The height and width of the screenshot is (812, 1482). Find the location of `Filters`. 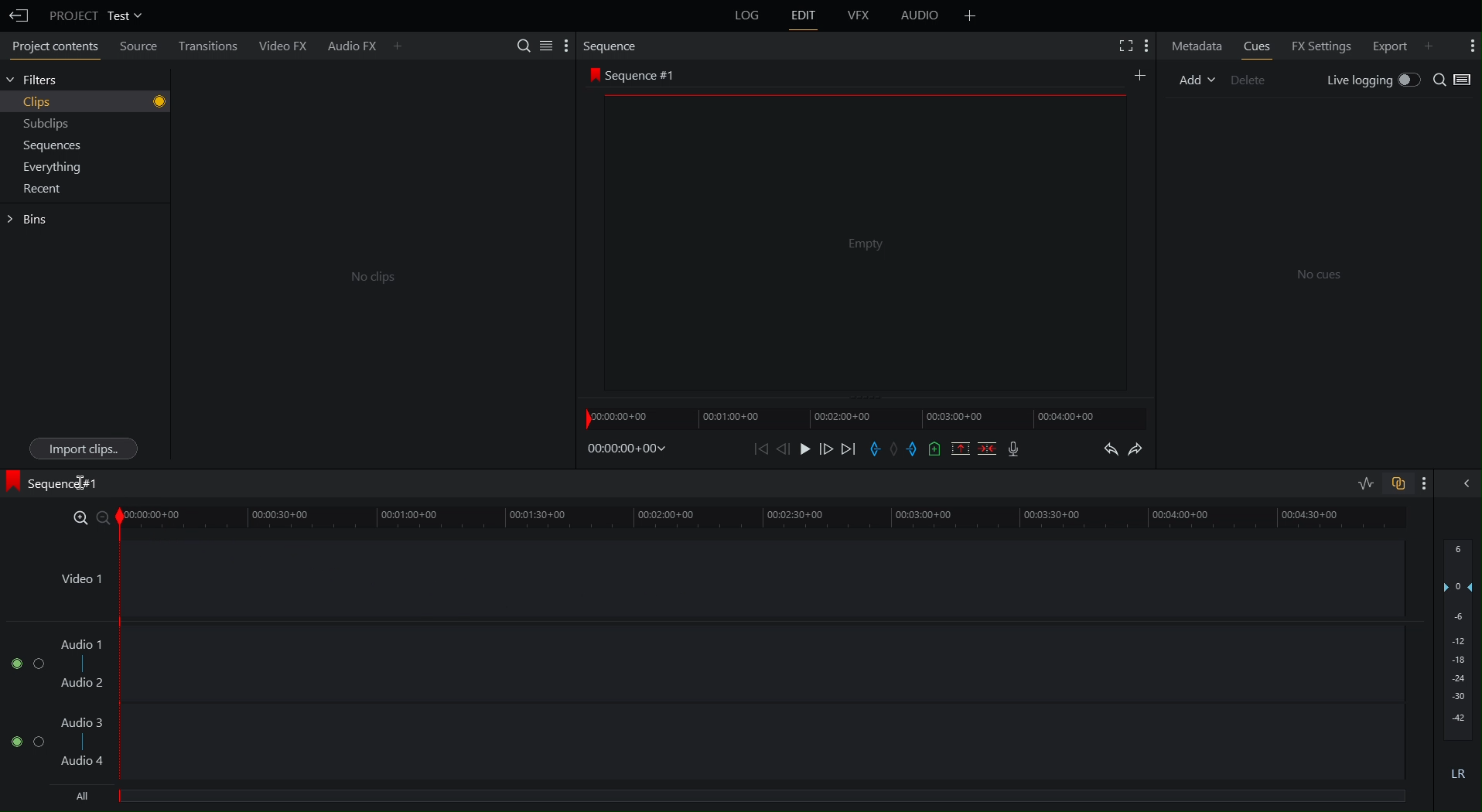

Filters is located at coordinates (38, 81).